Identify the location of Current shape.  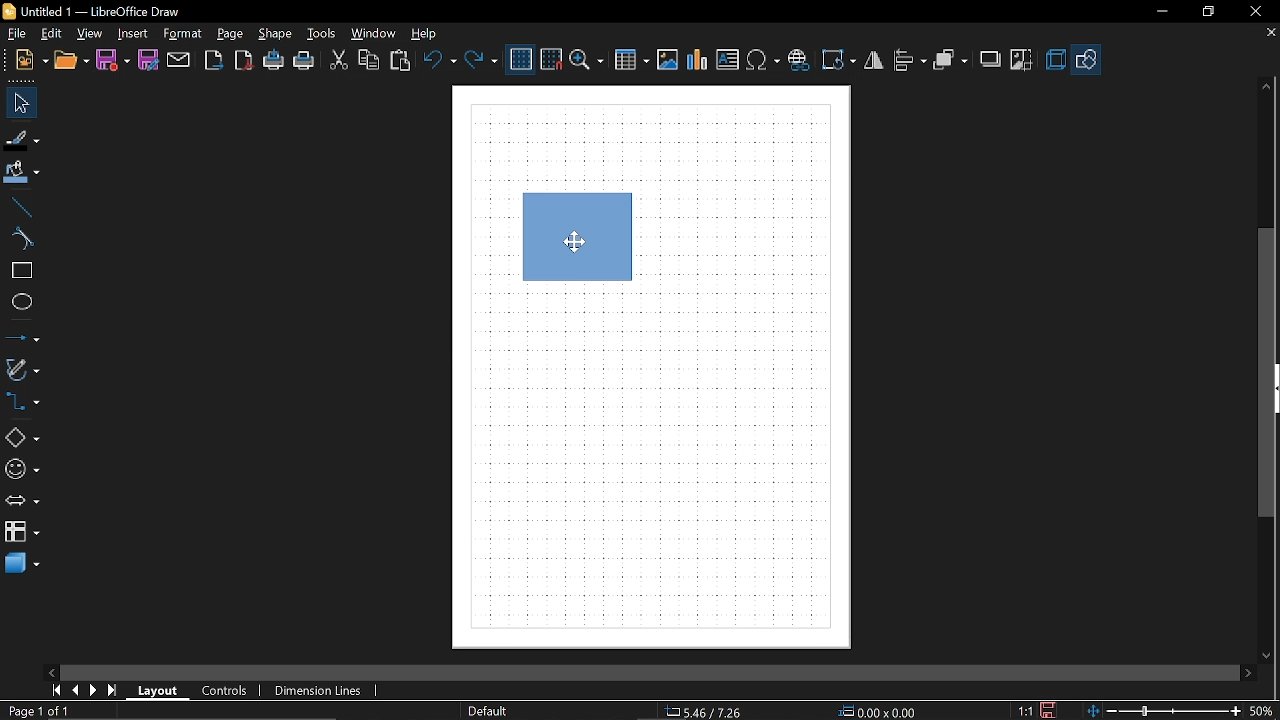
(581, 255).